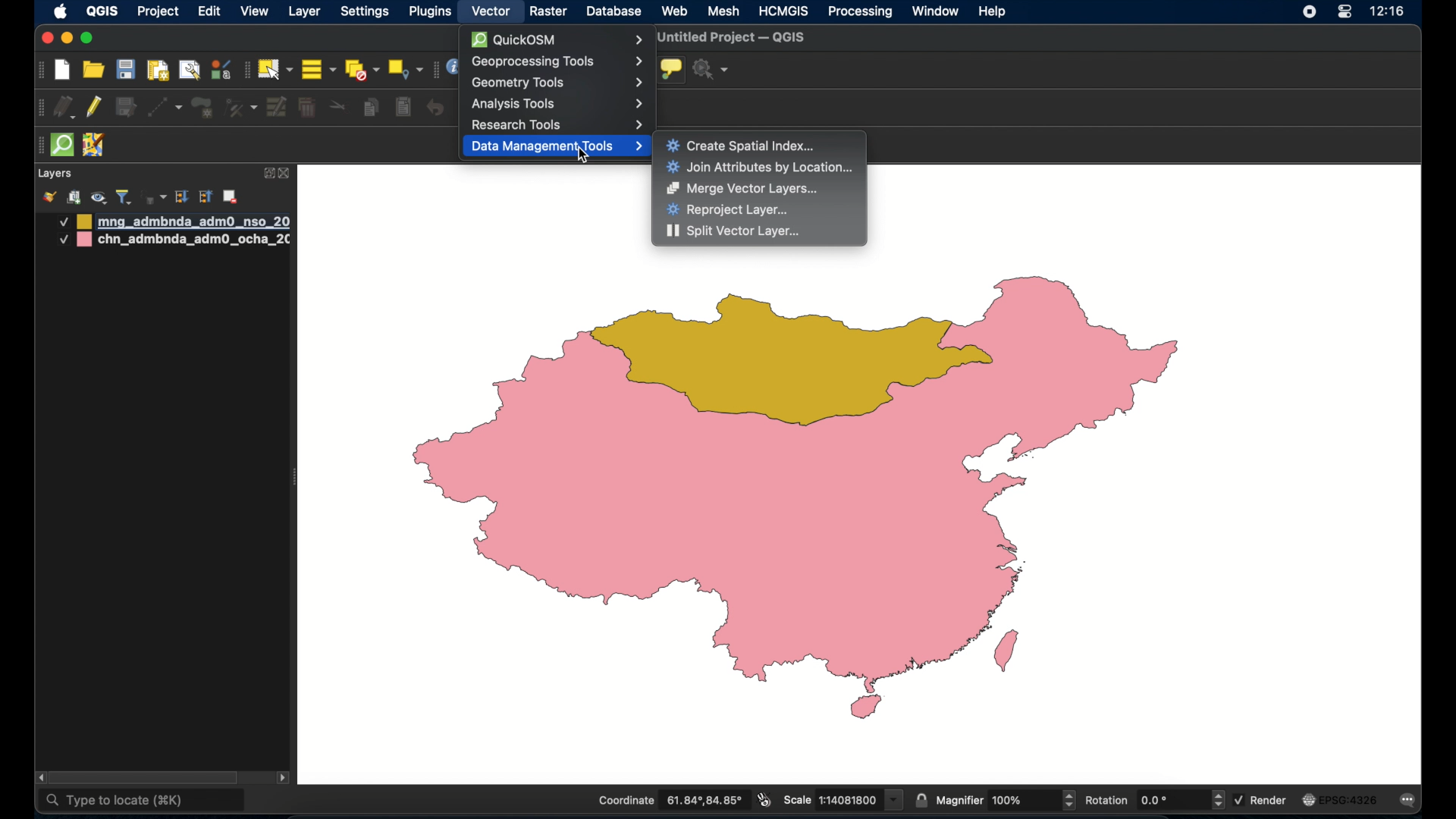  Describe the element at coordinates (371, 109) in the screenshot. I see `copy features` at that location.